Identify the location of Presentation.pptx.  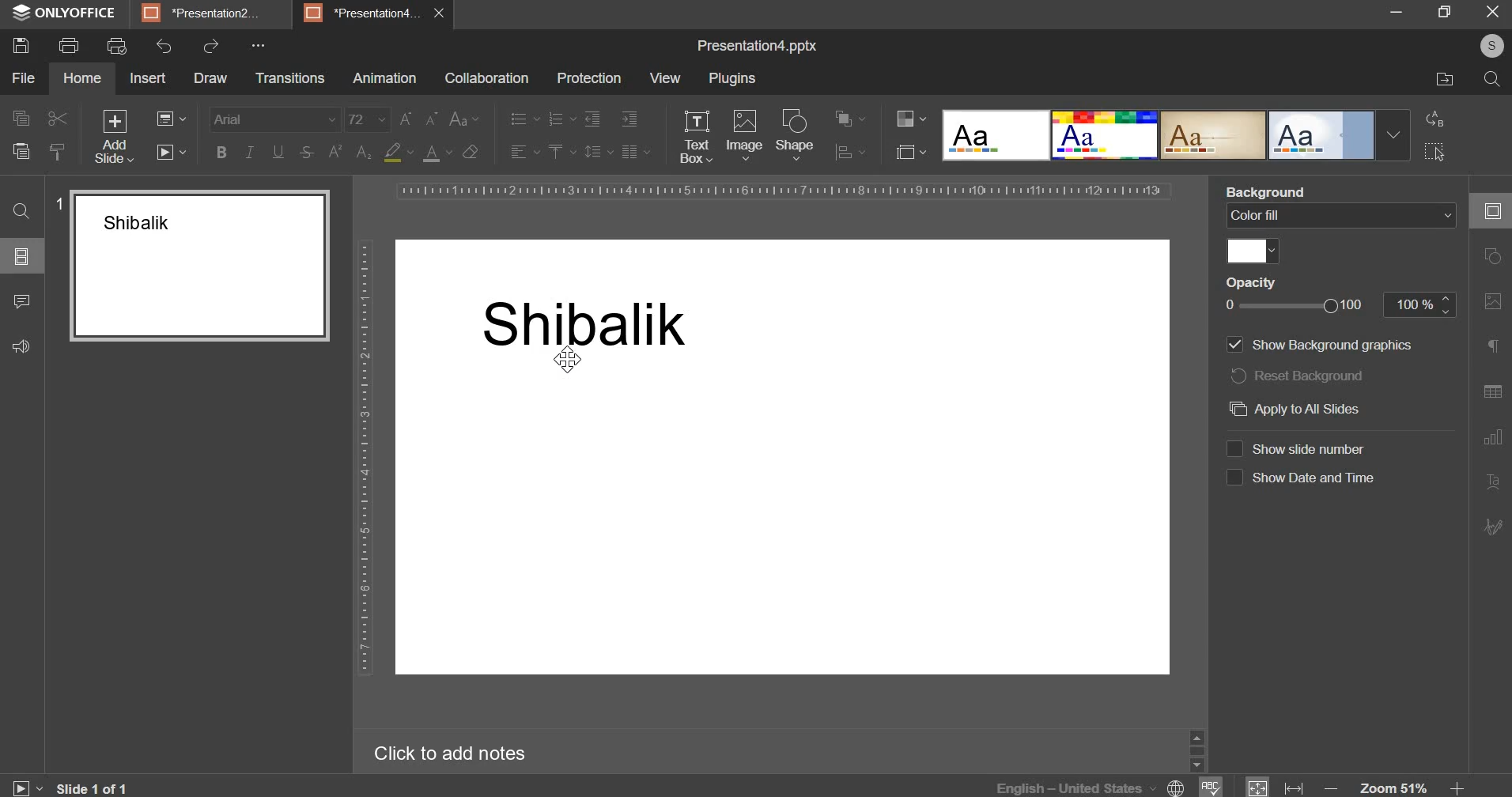
(748, 44).